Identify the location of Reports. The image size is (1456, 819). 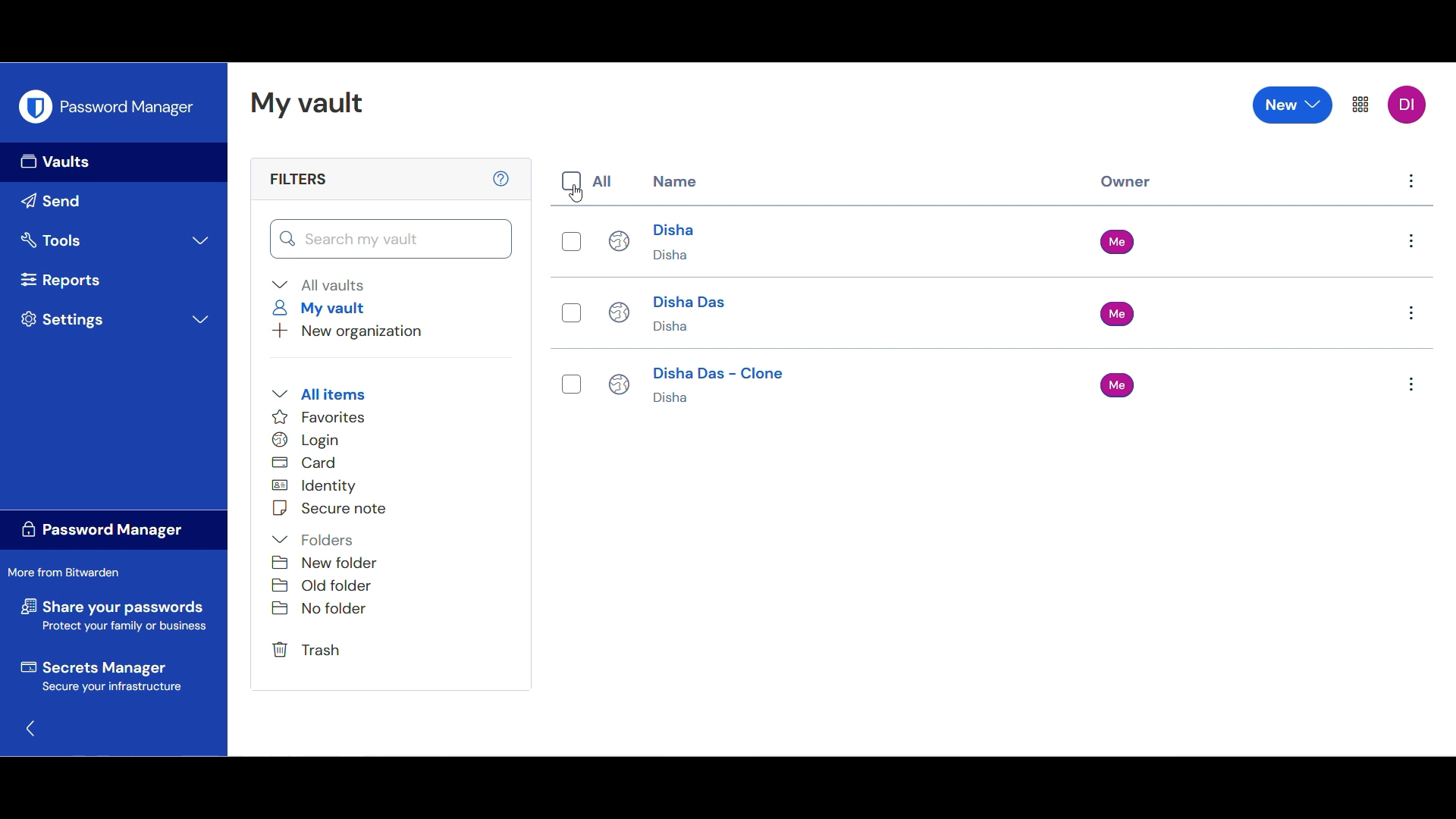
(115, 280).